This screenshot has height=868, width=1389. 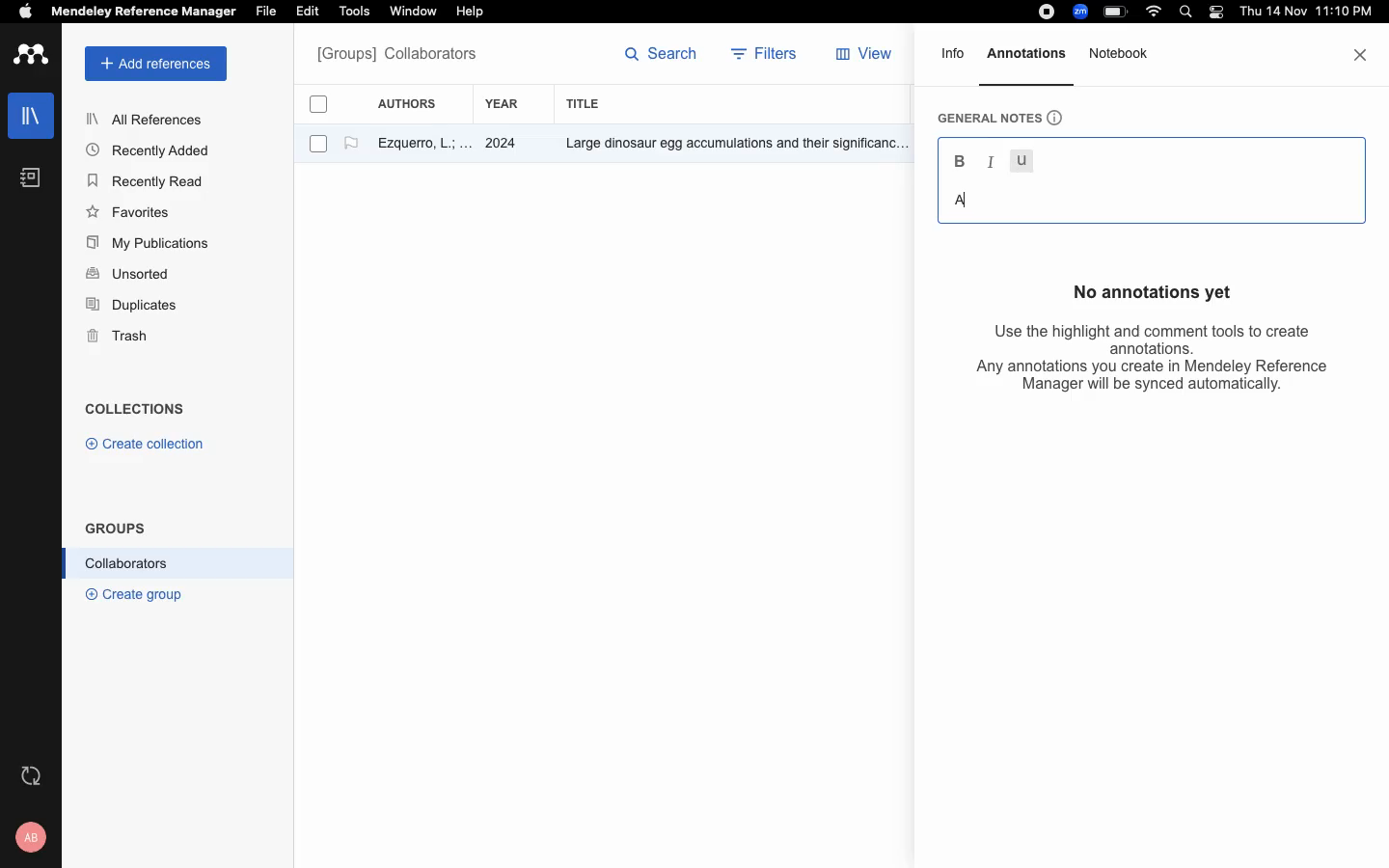 I want to click on COLLECTIONS, so click(x=135, y=411).